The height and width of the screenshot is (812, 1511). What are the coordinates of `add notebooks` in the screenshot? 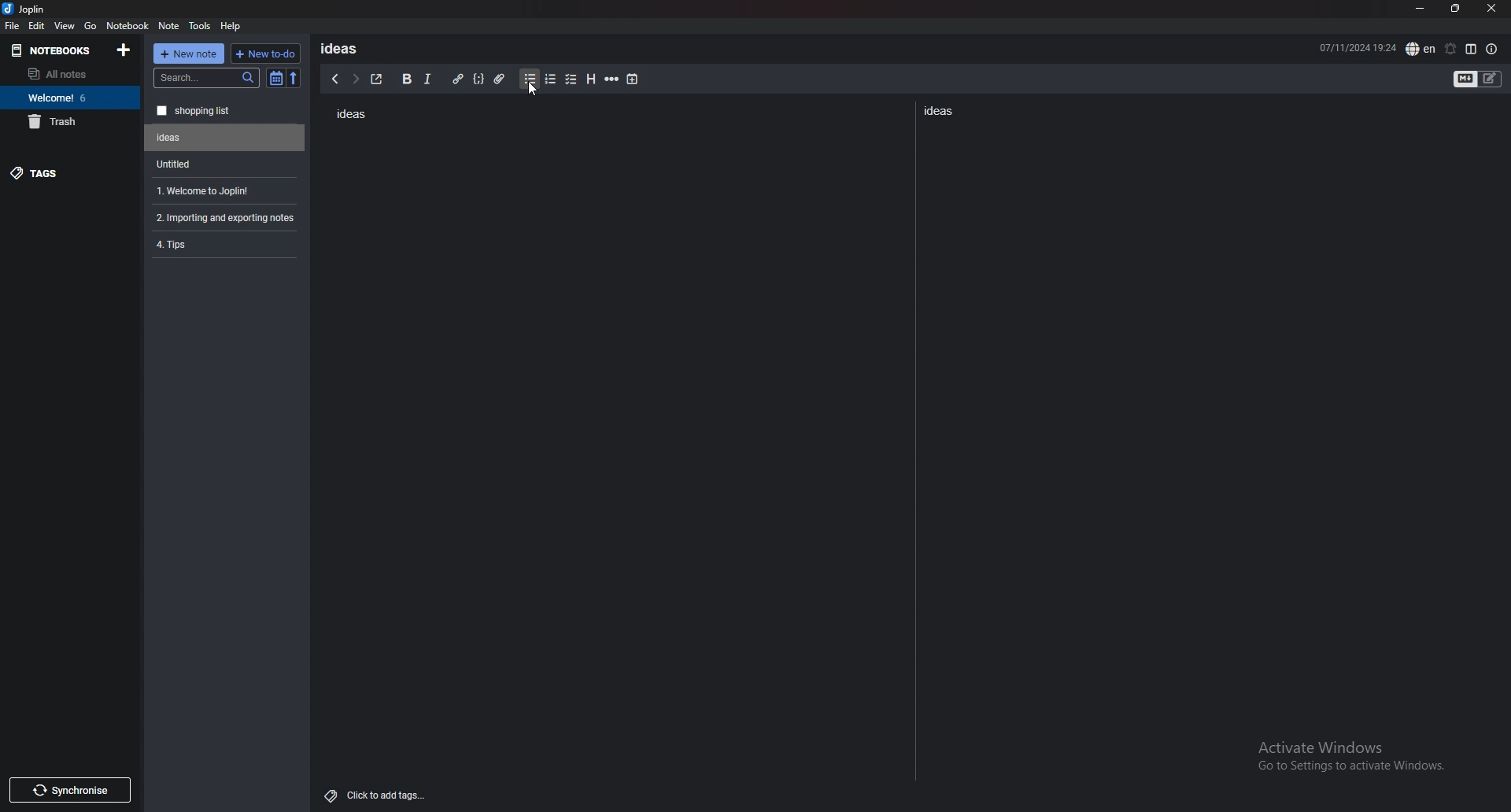 It's located at (124, 49).